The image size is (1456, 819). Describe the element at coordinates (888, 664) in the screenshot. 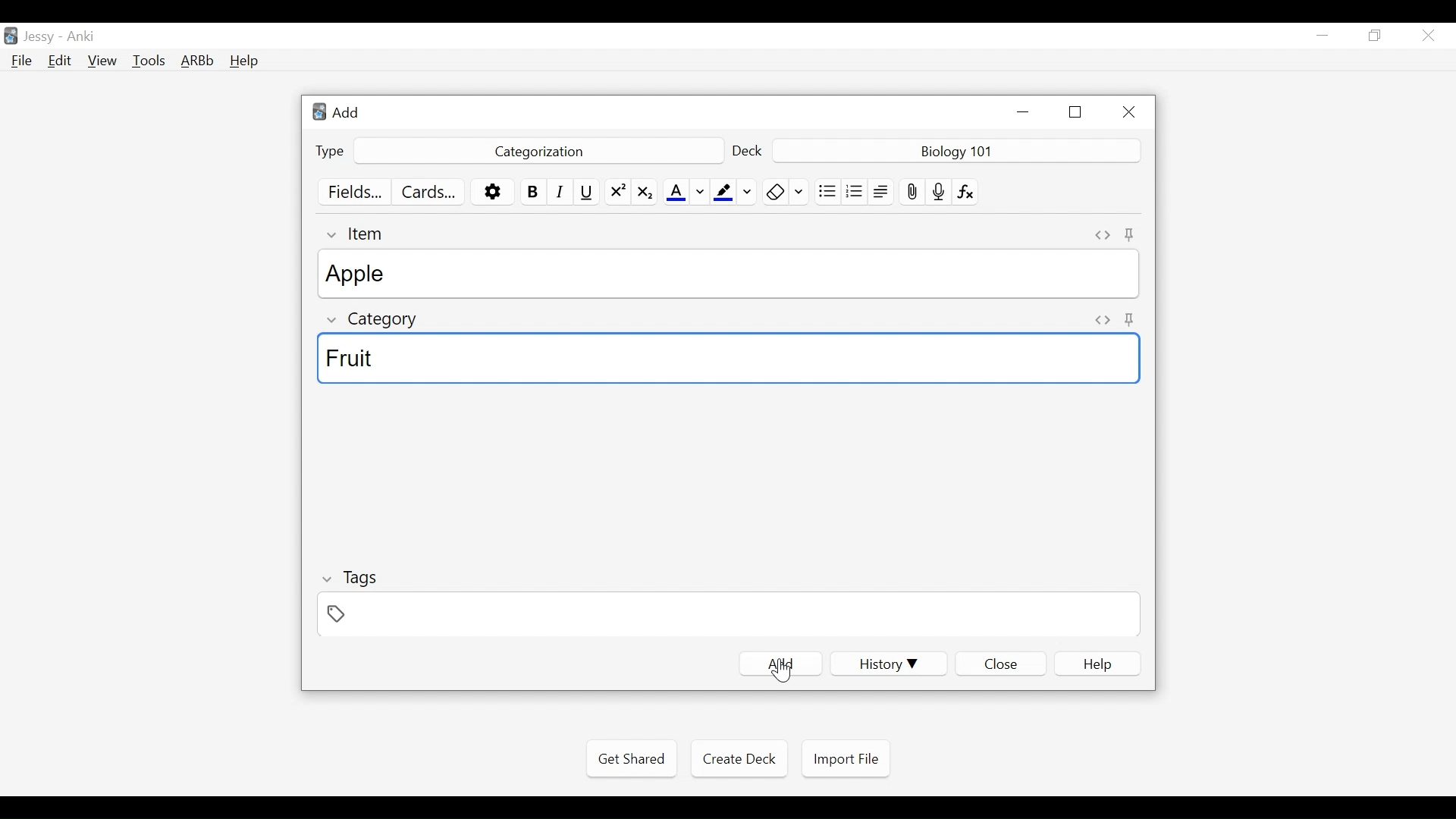

I see `History` at that location.